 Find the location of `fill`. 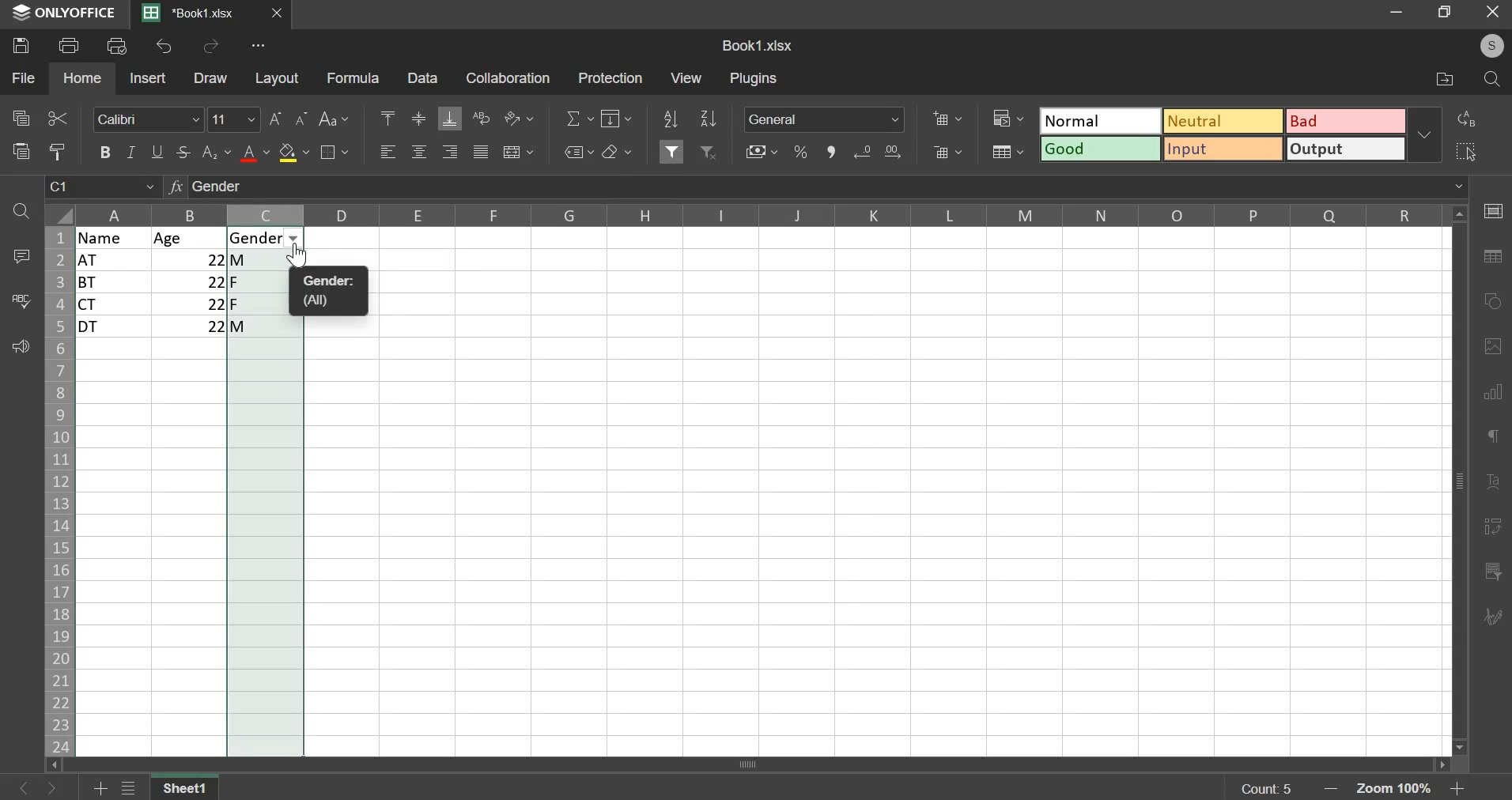

fill is located at coordinates (615, 119).